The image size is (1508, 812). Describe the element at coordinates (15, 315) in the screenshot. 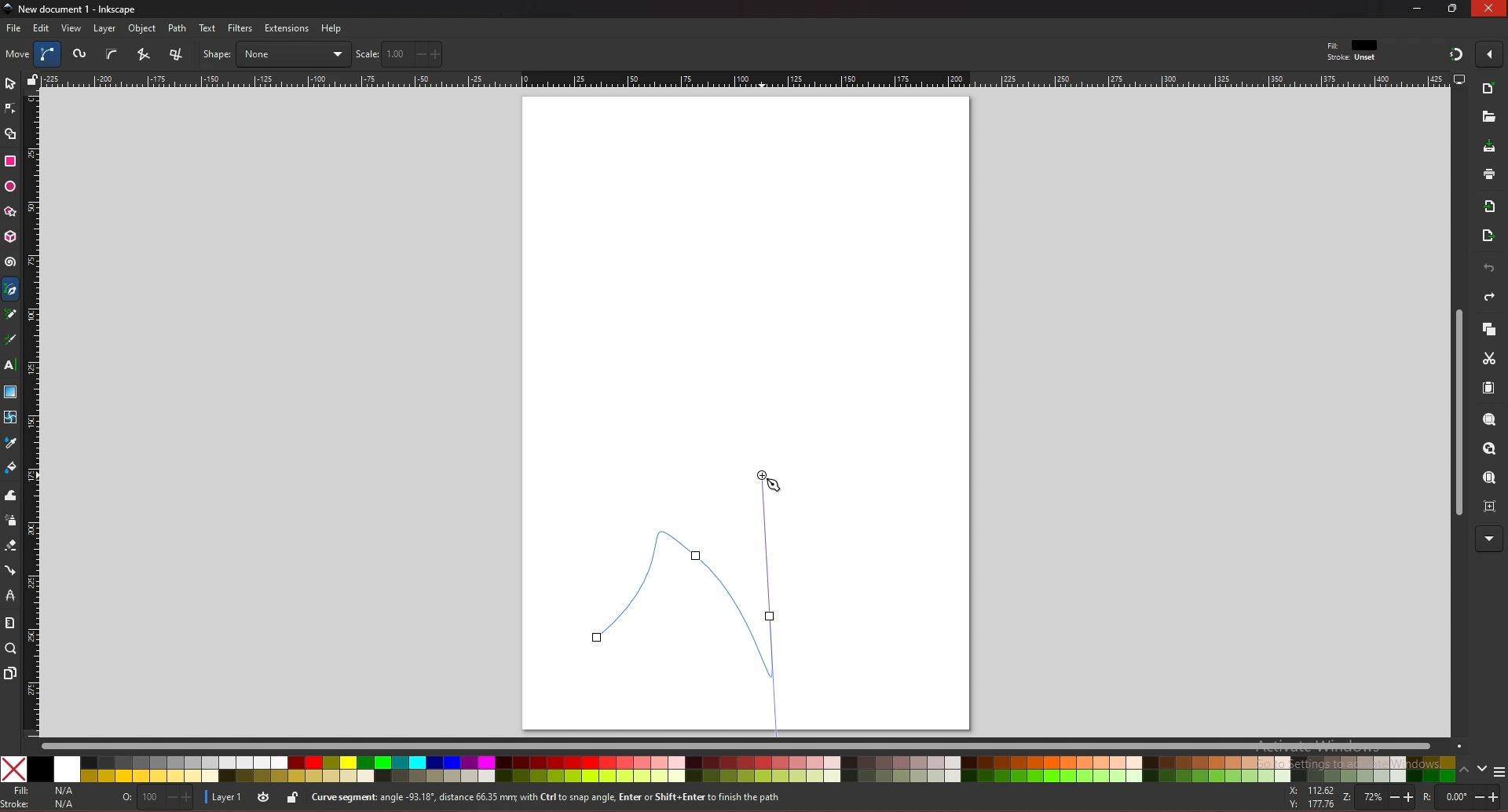

I see `pencil` at that location.